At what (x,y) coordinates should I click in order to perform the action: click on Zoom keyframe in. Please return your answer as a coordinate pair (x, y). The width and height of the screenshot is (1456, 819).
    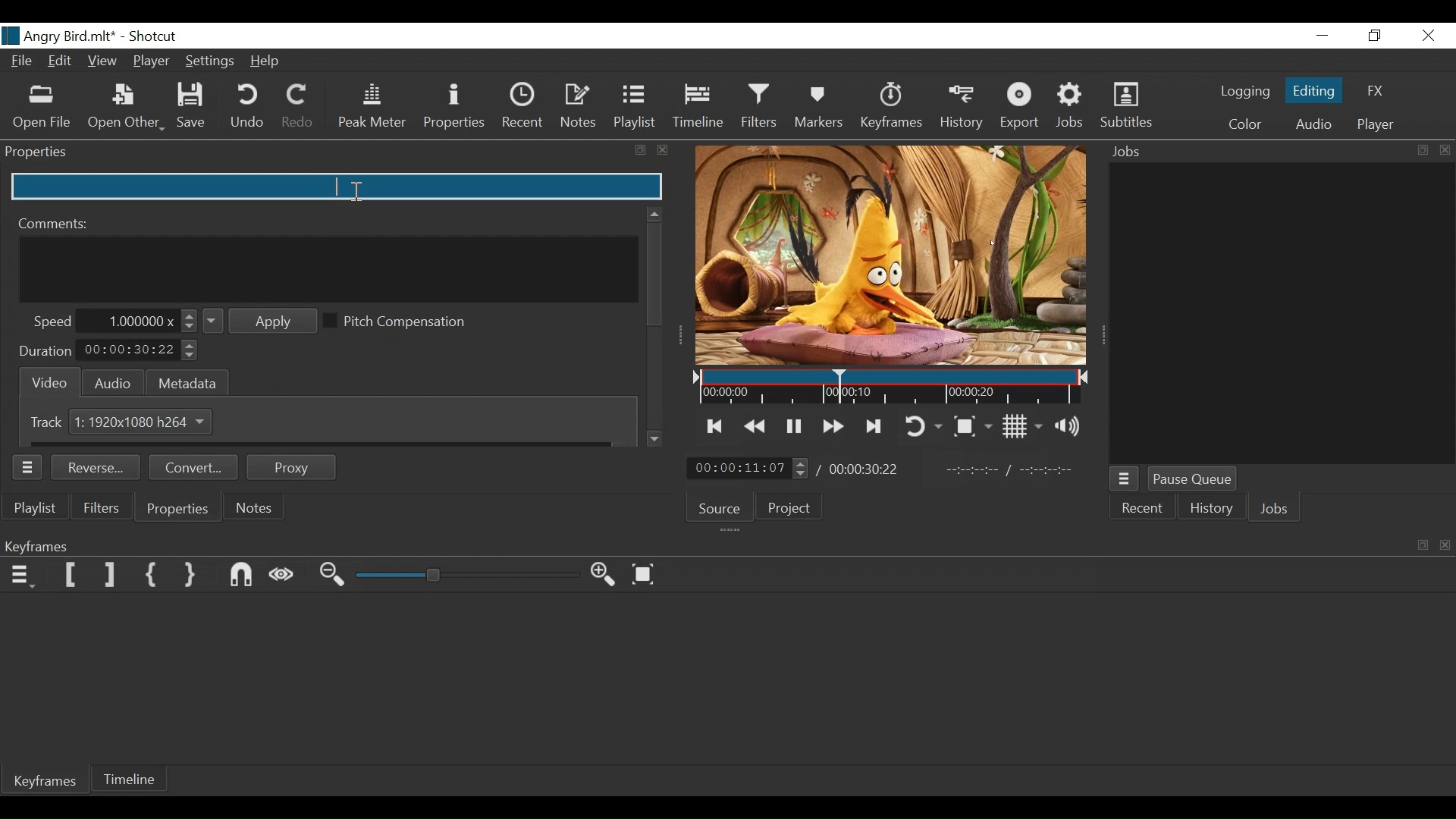
    Looking at the image, I should click on (607, 577).